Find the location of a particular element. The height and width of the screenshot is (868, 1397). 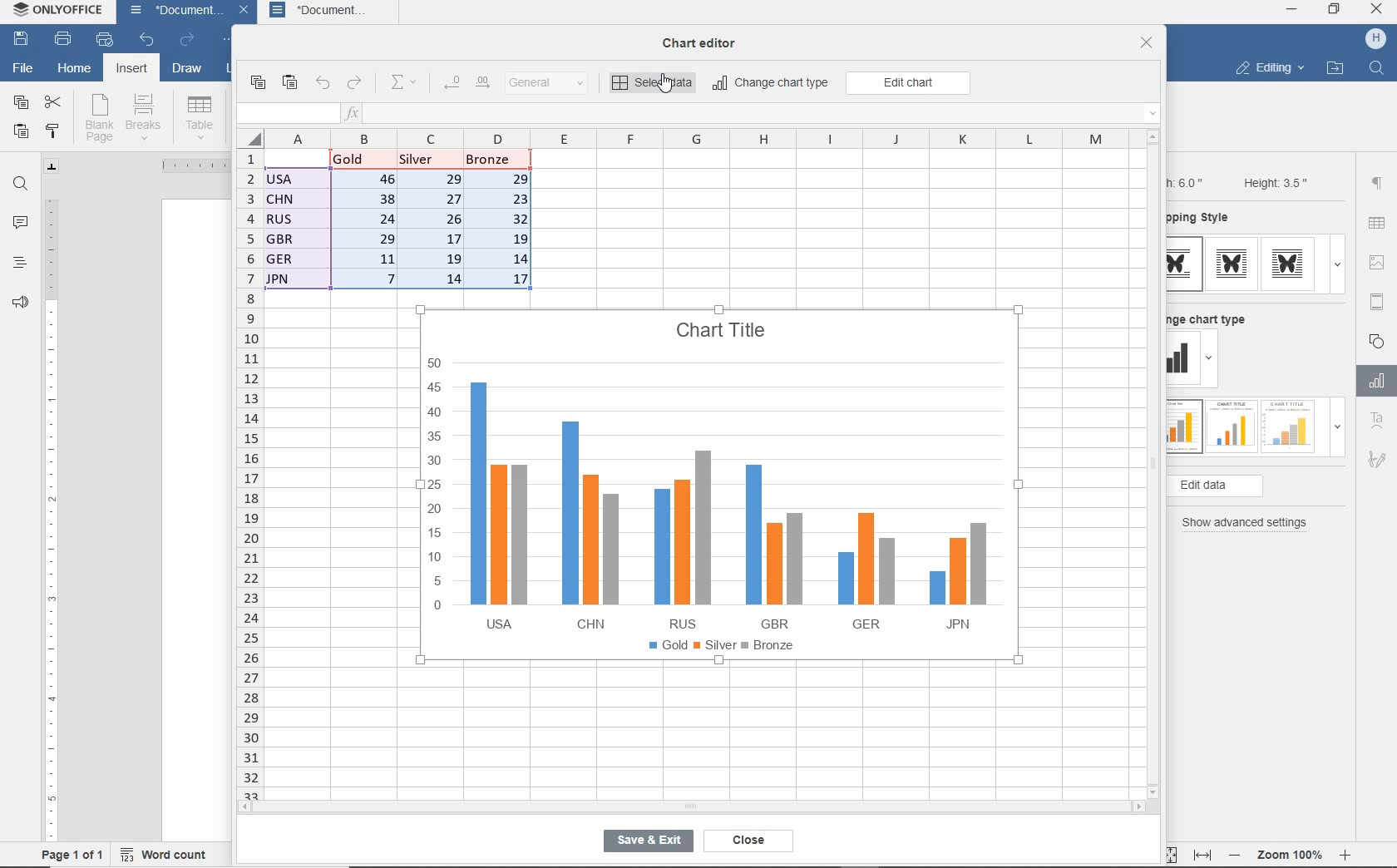

scroll down is located at coordinates (1154, 791).